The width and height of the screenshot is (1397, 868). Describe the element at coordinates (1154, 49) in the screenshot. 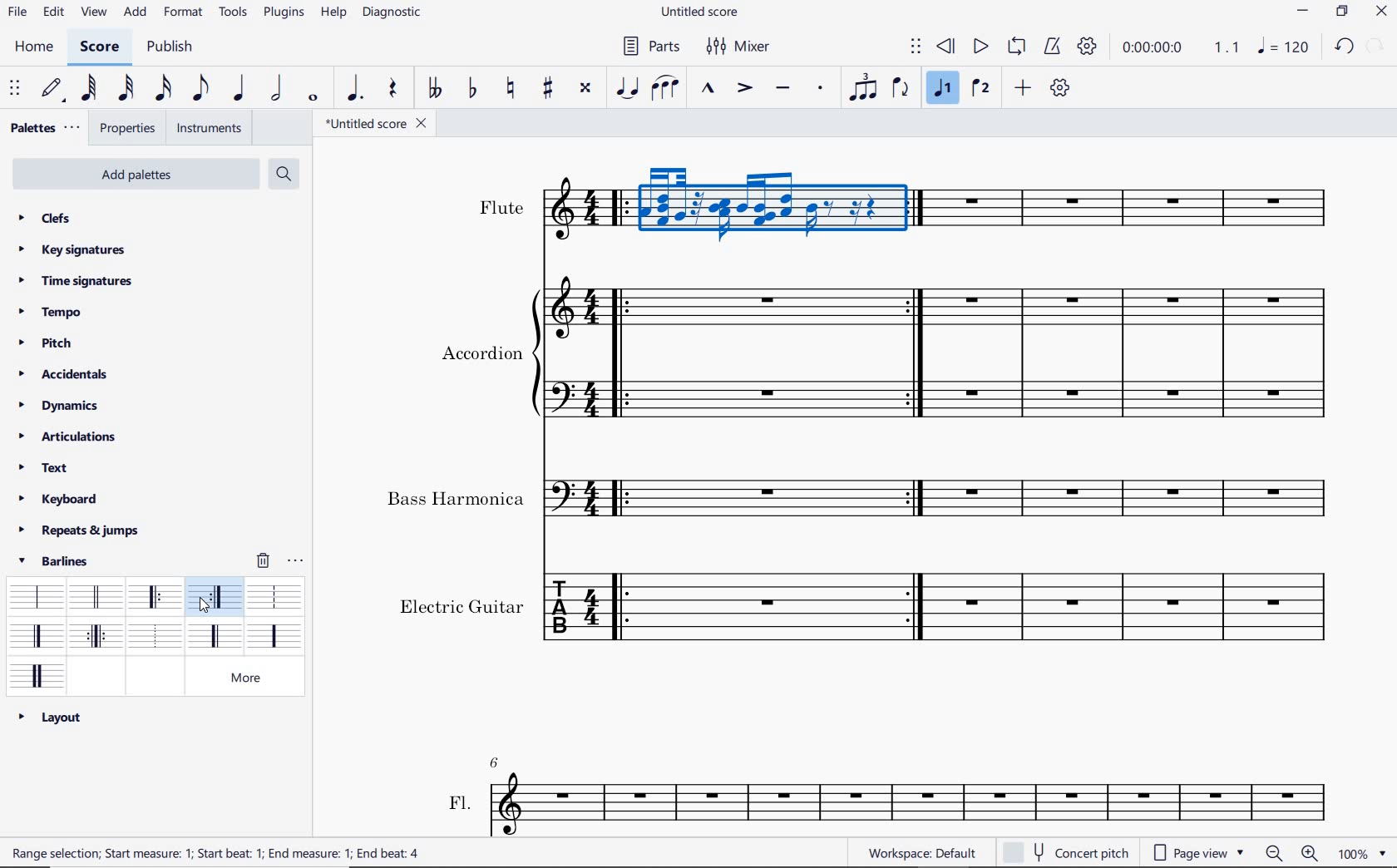

I see `playback time` at that location.